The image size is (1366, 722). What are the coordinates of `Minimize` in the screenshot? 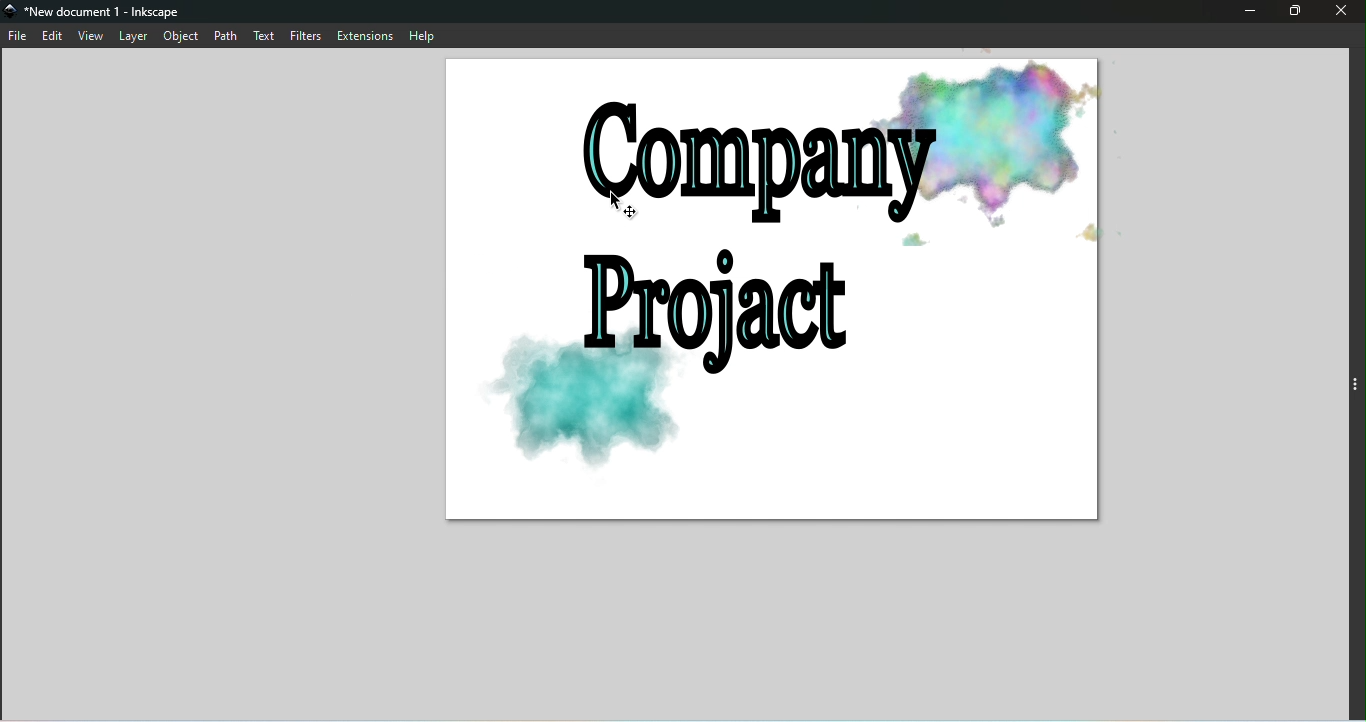 It's located at (1247, 13).